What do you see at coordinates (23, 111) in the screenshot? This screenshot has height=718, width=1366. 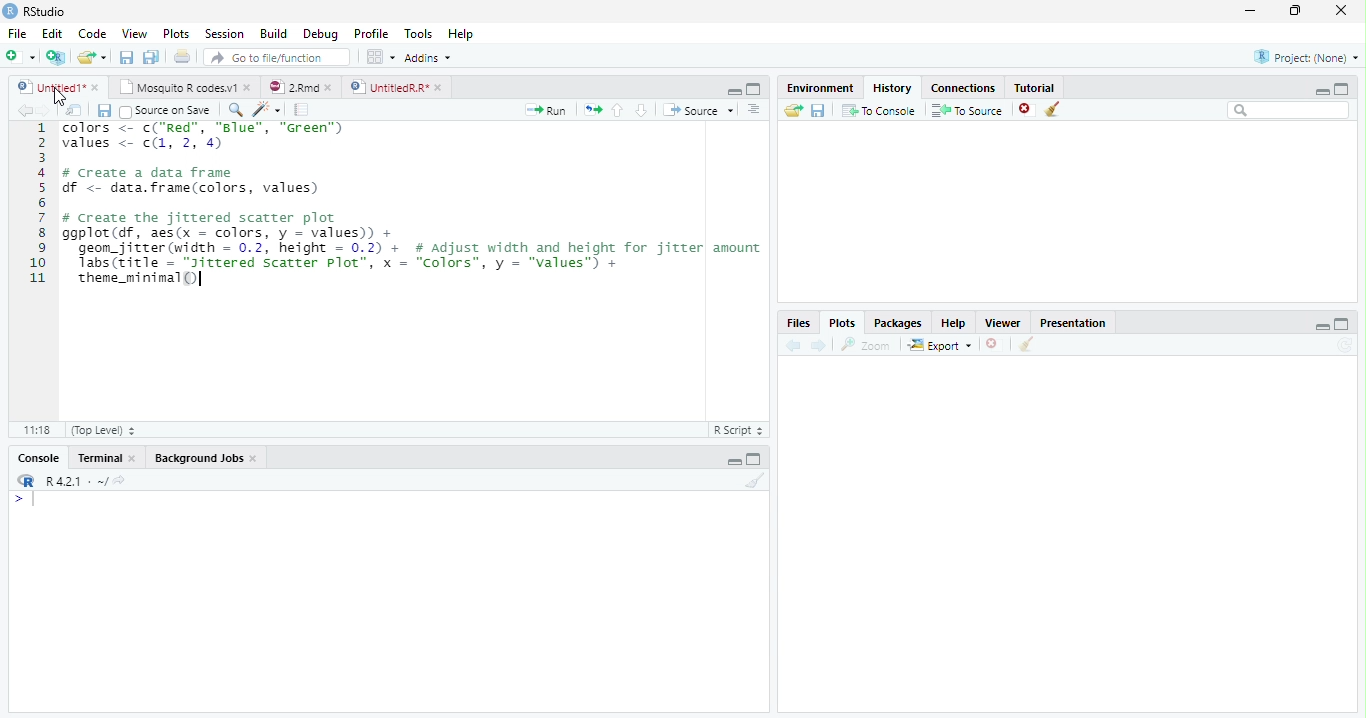 I see `Go back to previous source location` at bounding box center [23, 111].